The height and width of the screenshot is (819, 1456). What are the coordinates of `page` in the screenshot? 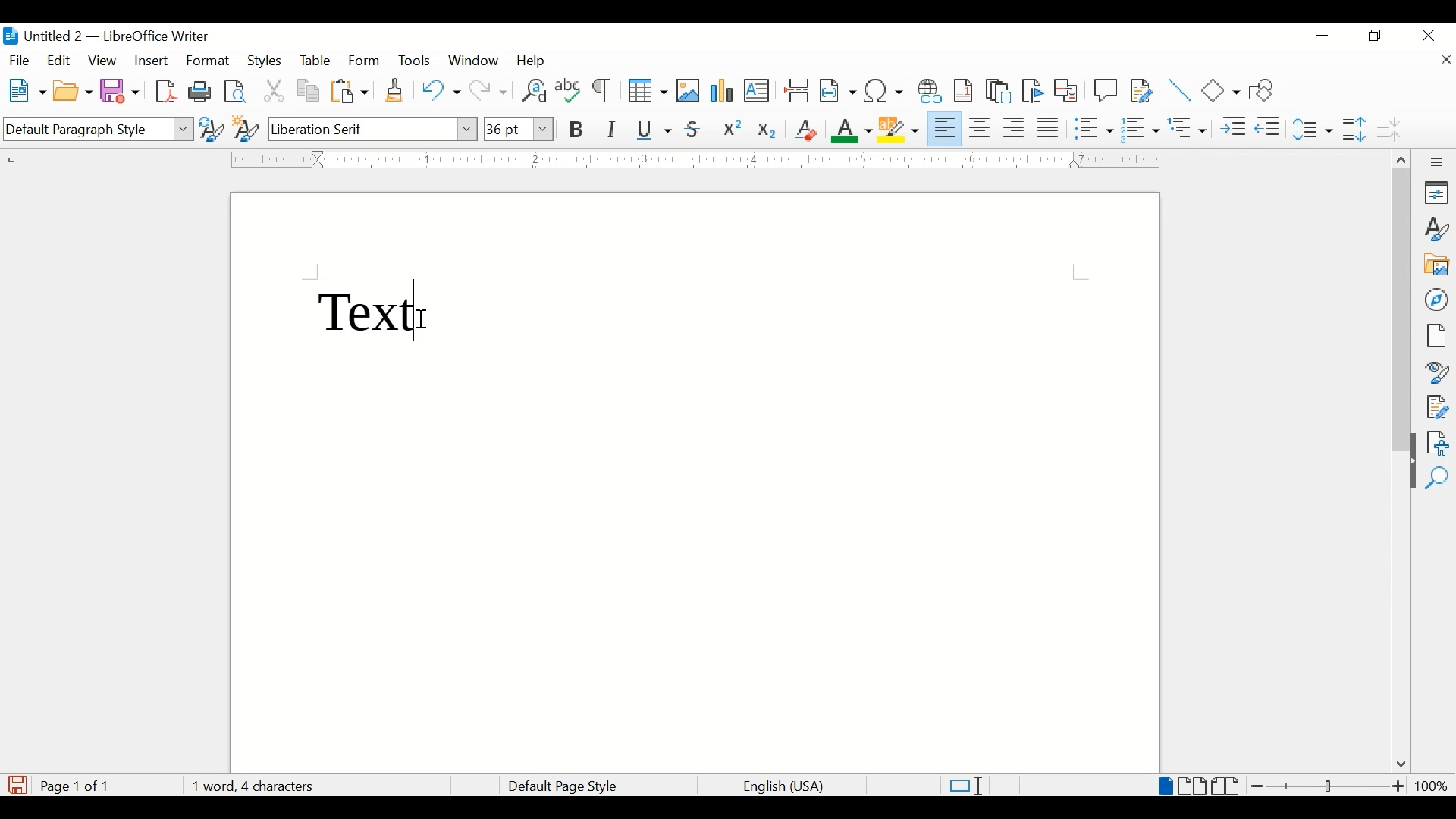 It's located at (1436, 335).